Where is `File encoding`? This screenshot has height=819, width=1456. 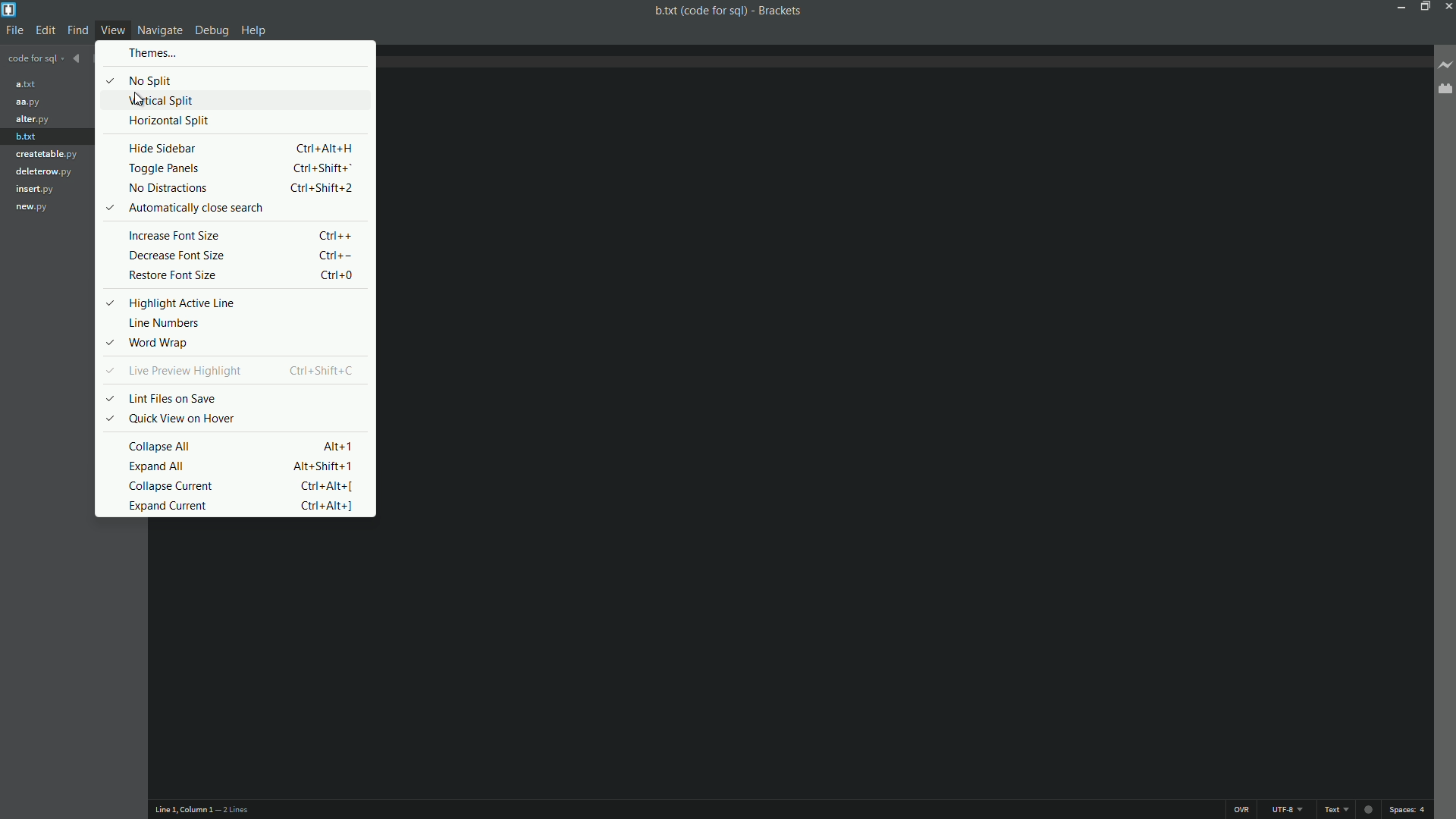 File encoding is located at coordinates (1289, 810).